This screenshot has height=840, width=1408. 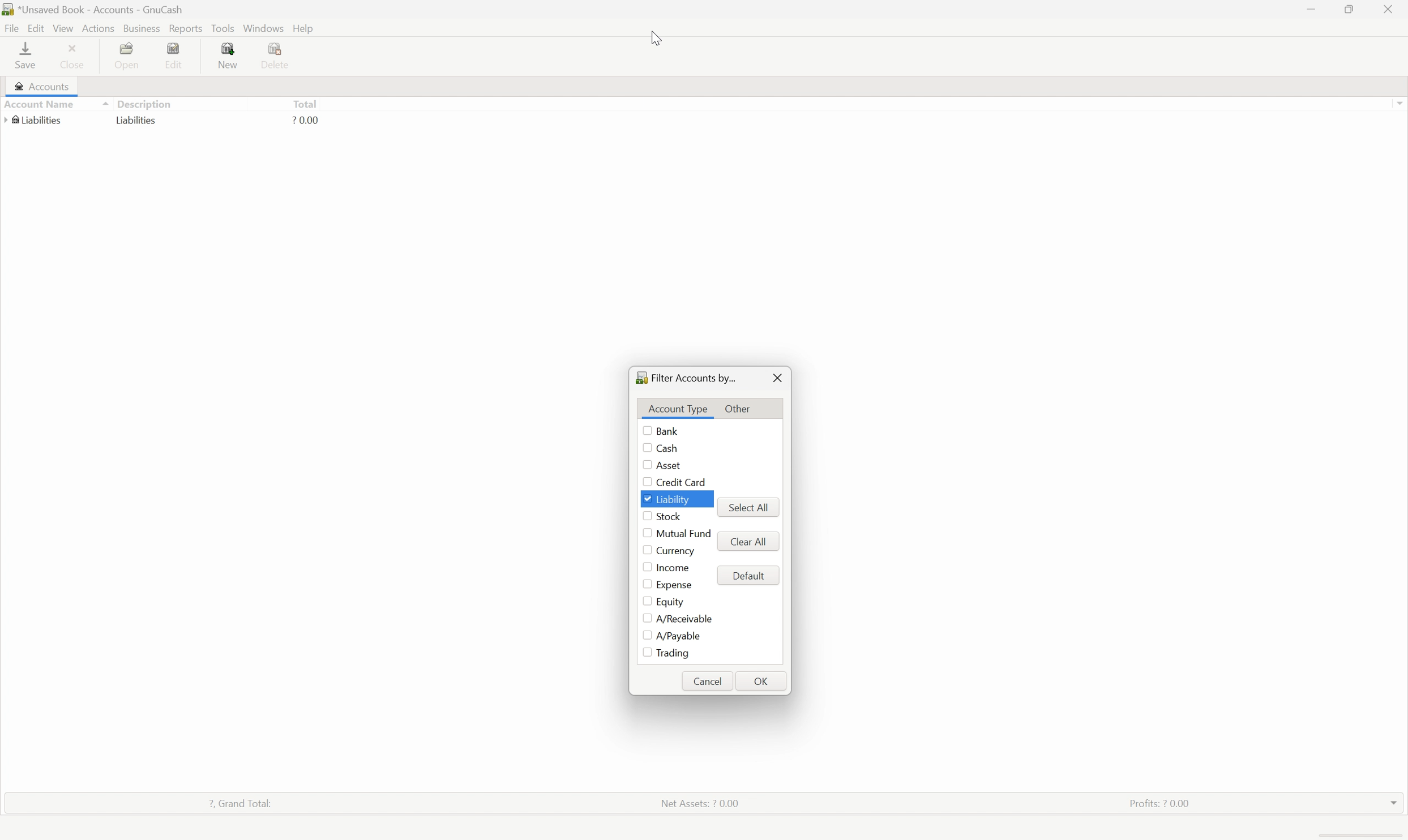 What do you see at coordinates (673, 569) in the screenshot?
I see `Income` at bounding box center [673, 569].